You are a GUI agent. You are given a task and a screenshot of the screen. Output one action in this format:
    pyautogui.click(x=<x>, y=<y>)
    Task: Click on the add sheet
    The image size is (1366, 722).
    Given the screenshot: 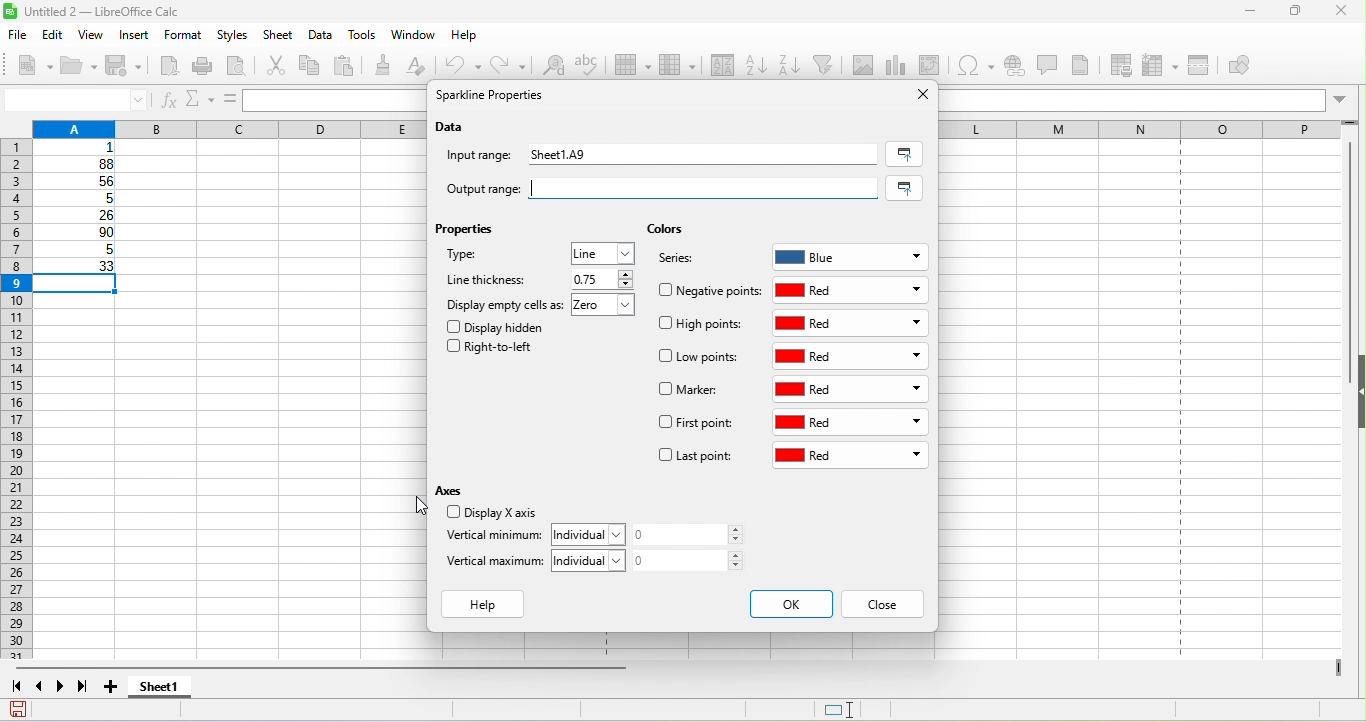 What is the action you would take?
    pyautogui.click(x=113, y=687)
    